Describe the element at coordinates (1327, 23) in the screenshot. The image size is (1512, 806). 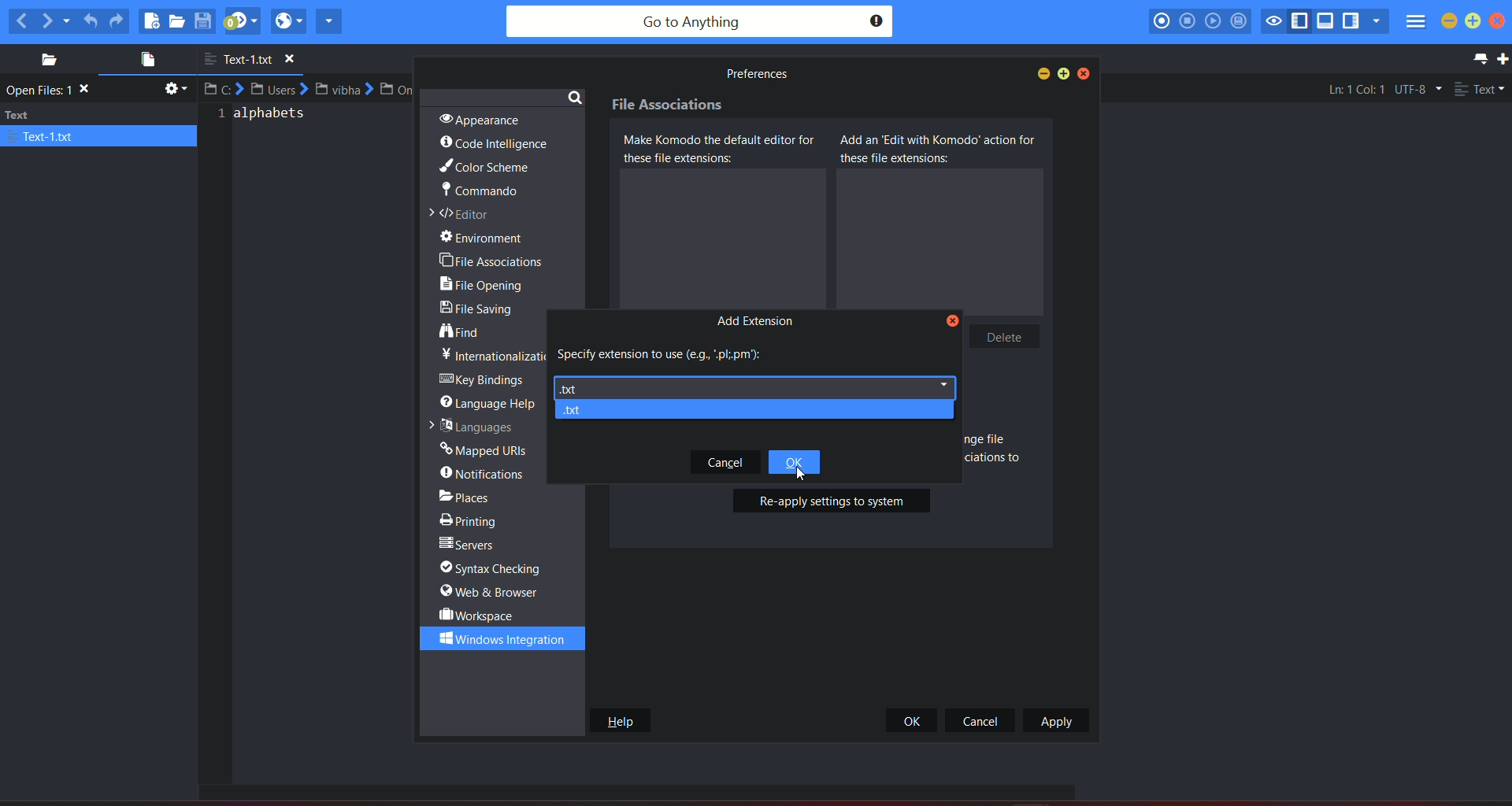
I see `show/hide bottom pane` at that location.